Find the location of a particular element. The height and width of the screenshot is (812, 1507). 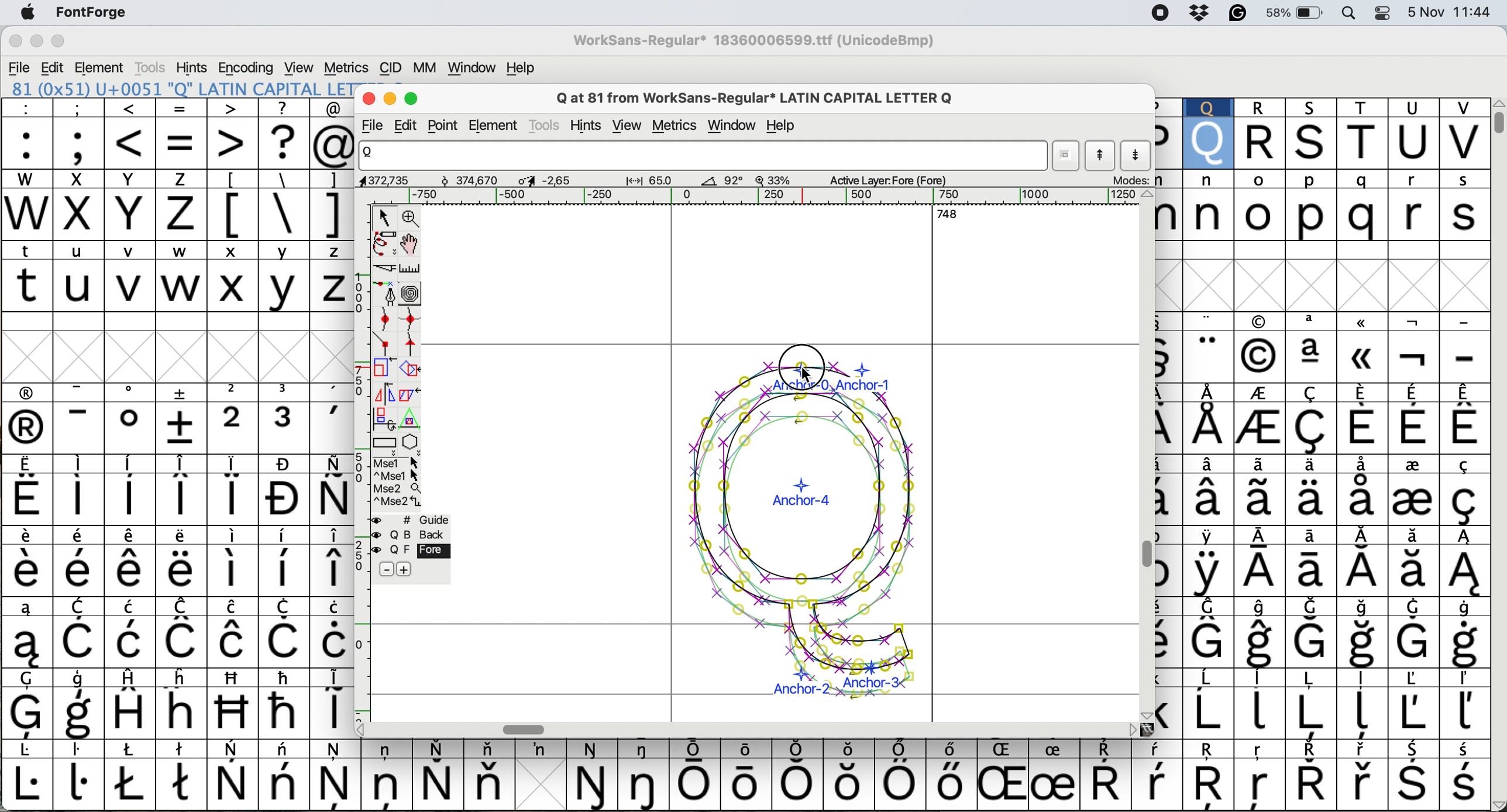

special characters is located at coordinates (742, 780).